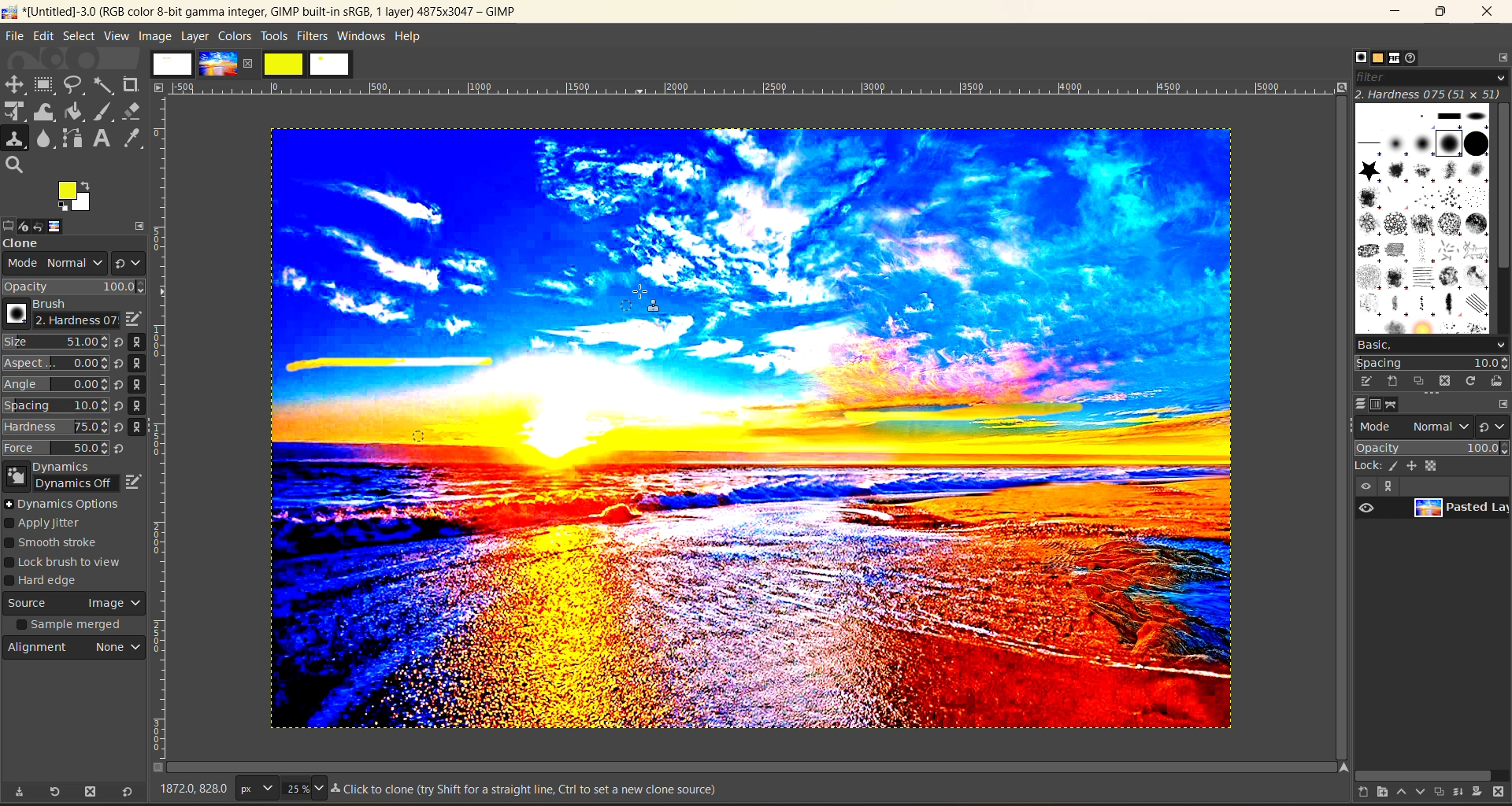 The height and width of the screenshot is (806, 1512). Describe the element at coordinates (1415, 425) in the screenshot. I see `mode` at that location.